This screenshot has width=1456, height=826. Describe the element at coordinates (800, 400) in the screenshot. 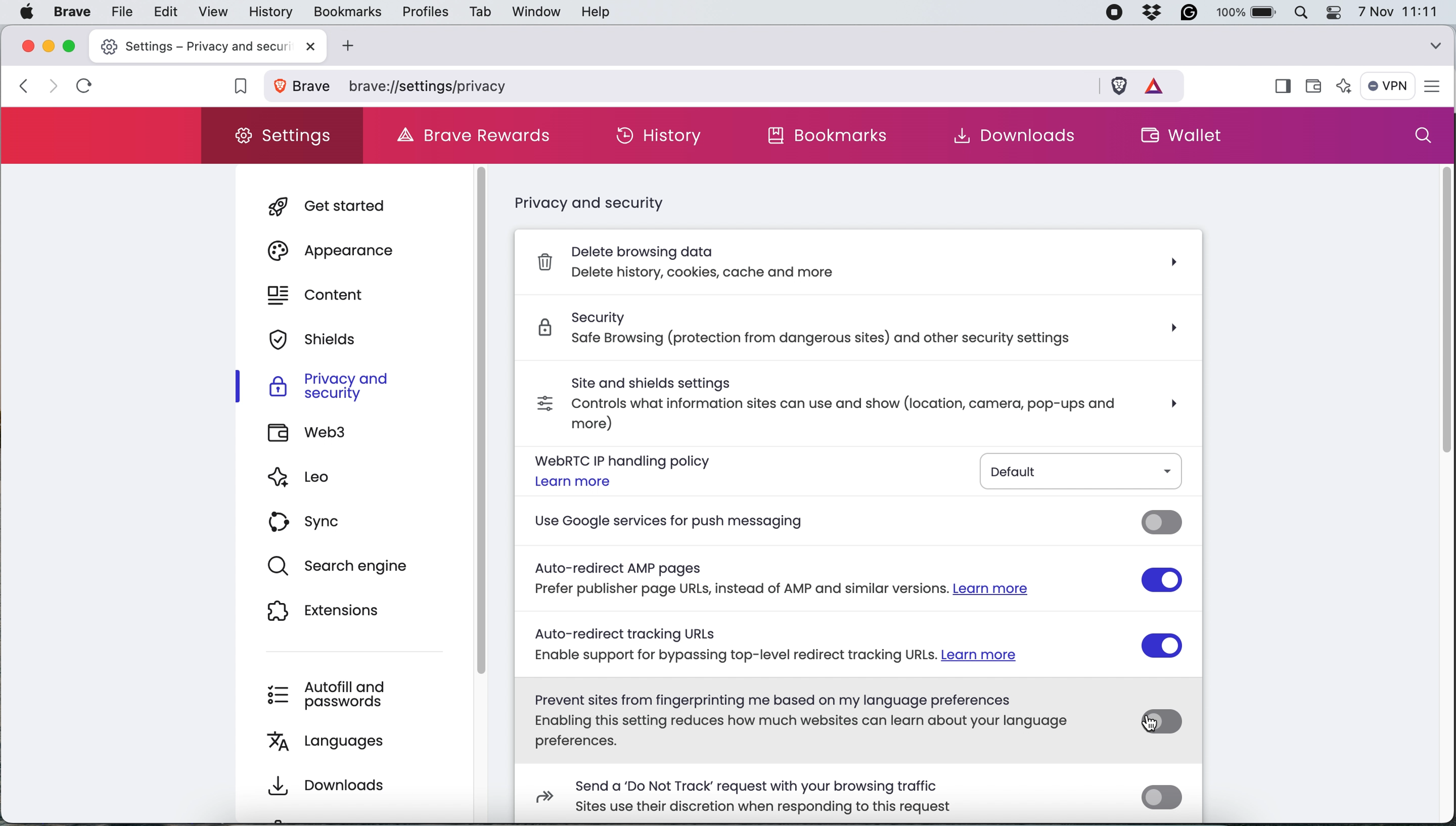

I see `site and shields settings controls what information sites can use and show (location, camera, pop-ups and more)` at that location.